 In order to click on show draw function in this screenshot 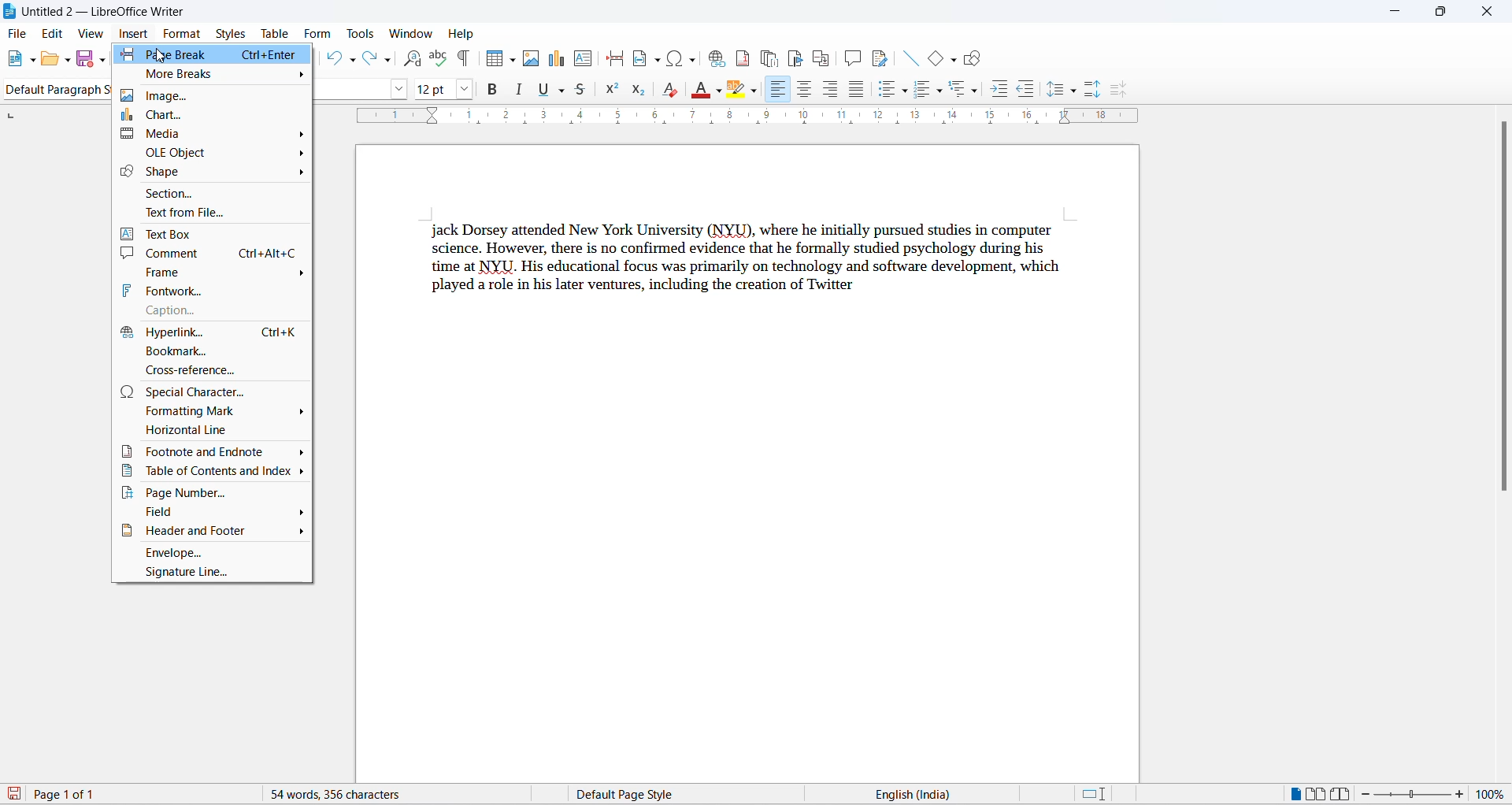, I will do `click(973, 61)`.